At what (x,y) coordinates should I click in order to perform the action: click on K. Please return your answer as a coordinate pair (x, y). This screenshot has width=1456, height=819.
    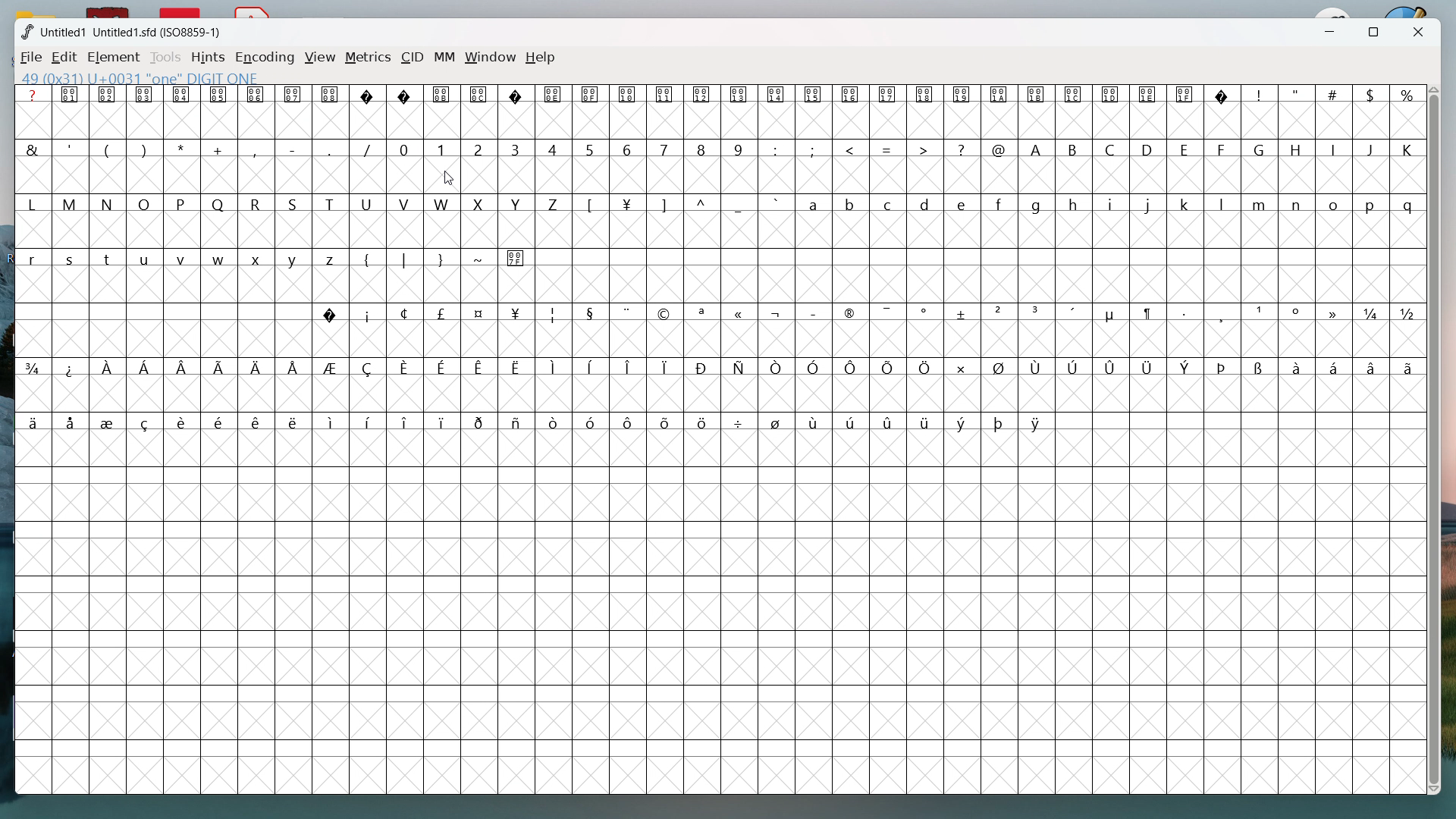
    Looking at the image, I should click on (1407, 149).